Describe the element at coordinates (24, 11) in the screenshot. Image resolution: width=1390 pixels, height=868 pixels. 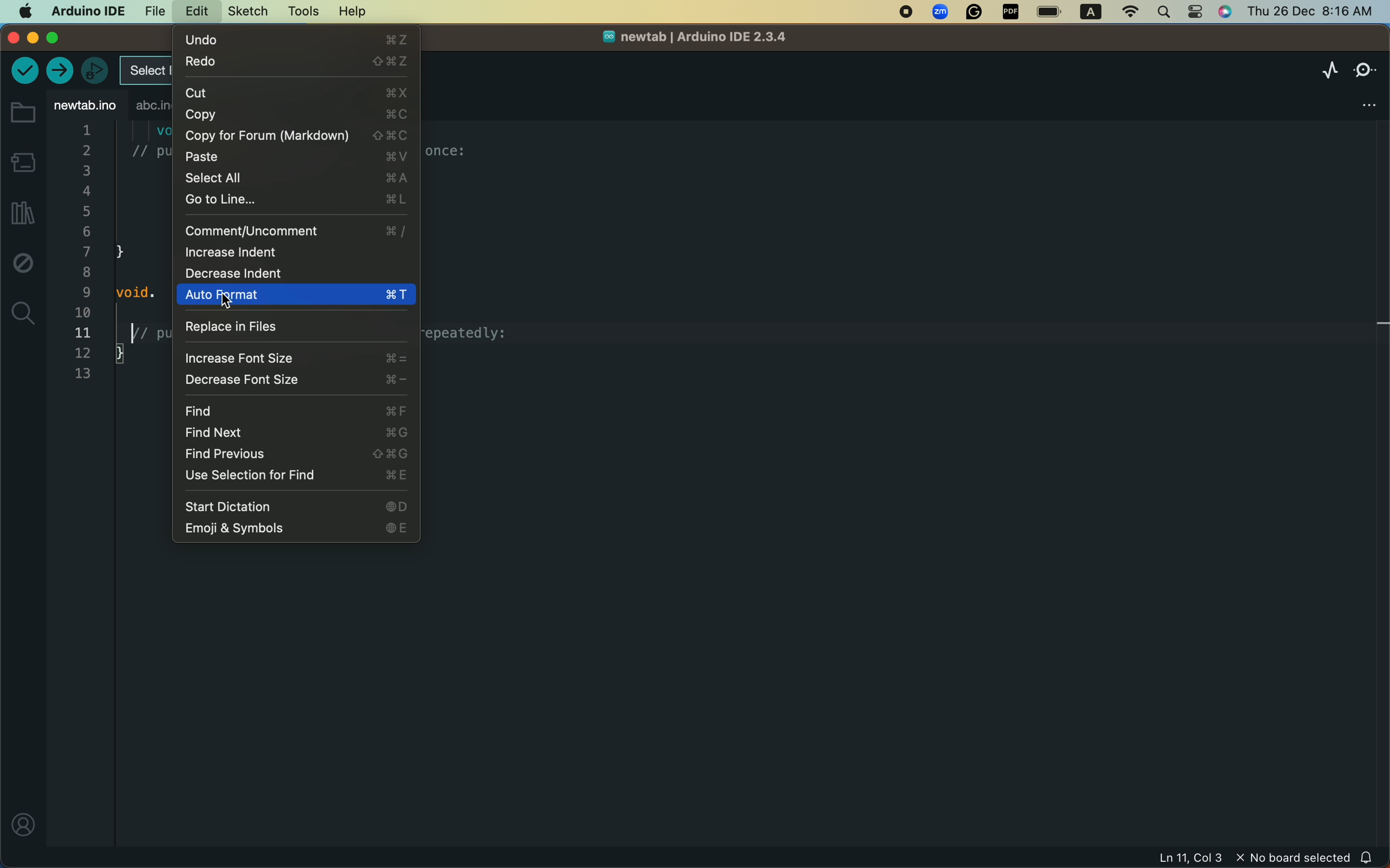
I see `main setting` at that location.